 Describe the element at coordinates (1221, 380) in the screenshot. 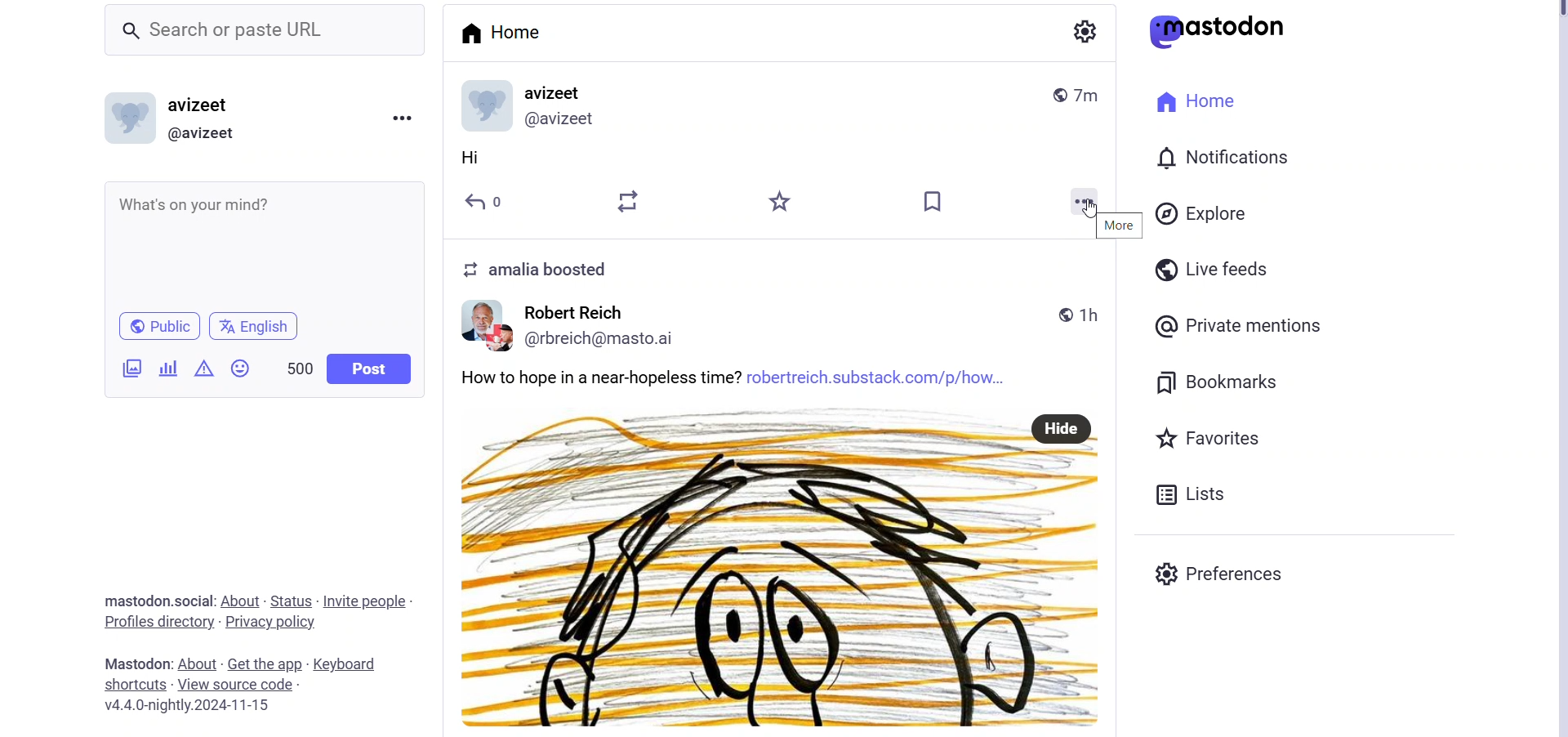

I see `Bookmarks` at that location.